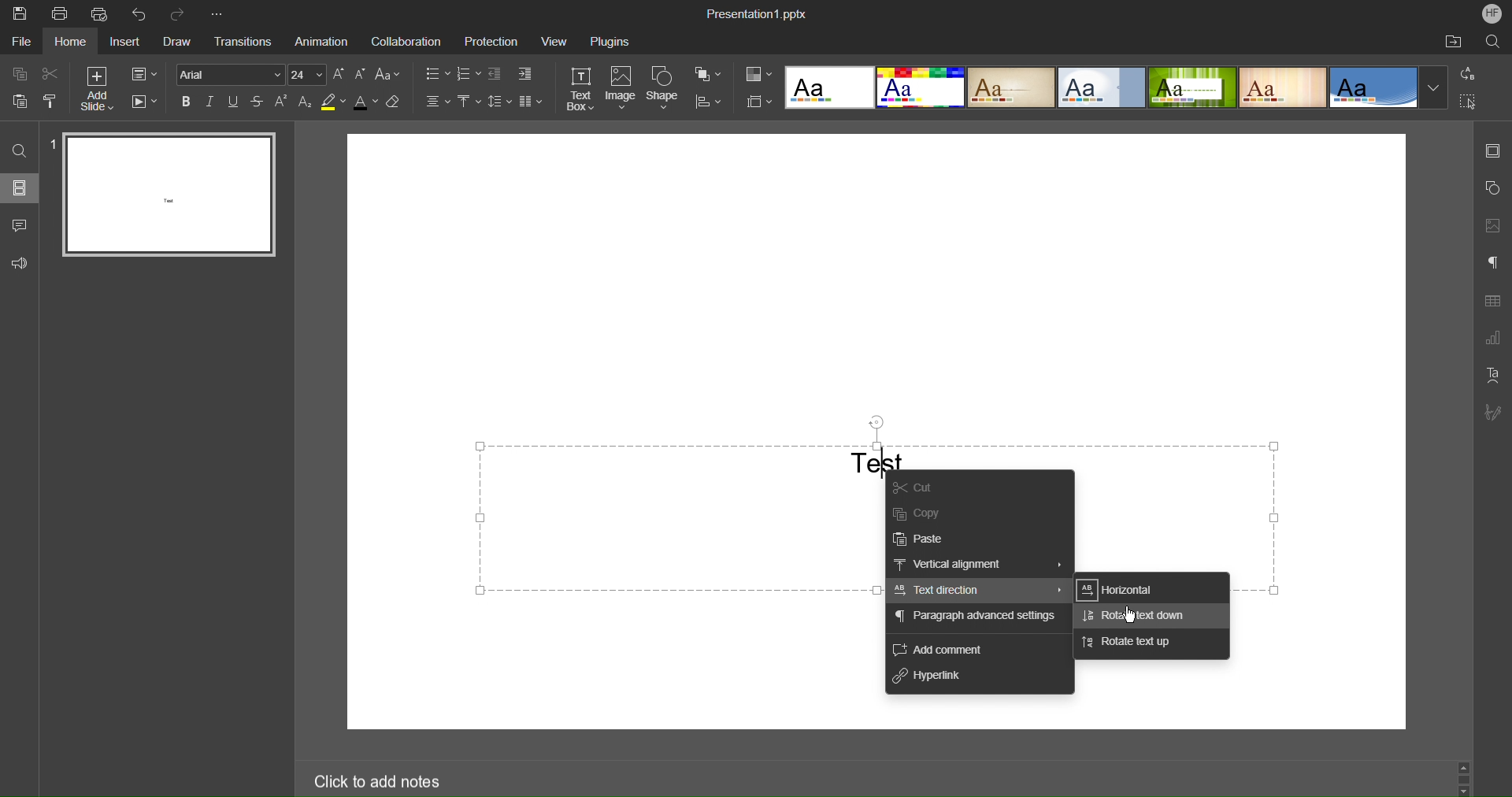 This screenshot has height=797, width=1512. Describe the element at coordinates (1131, 615) in the screenshot. I see `Cursor` at that location.